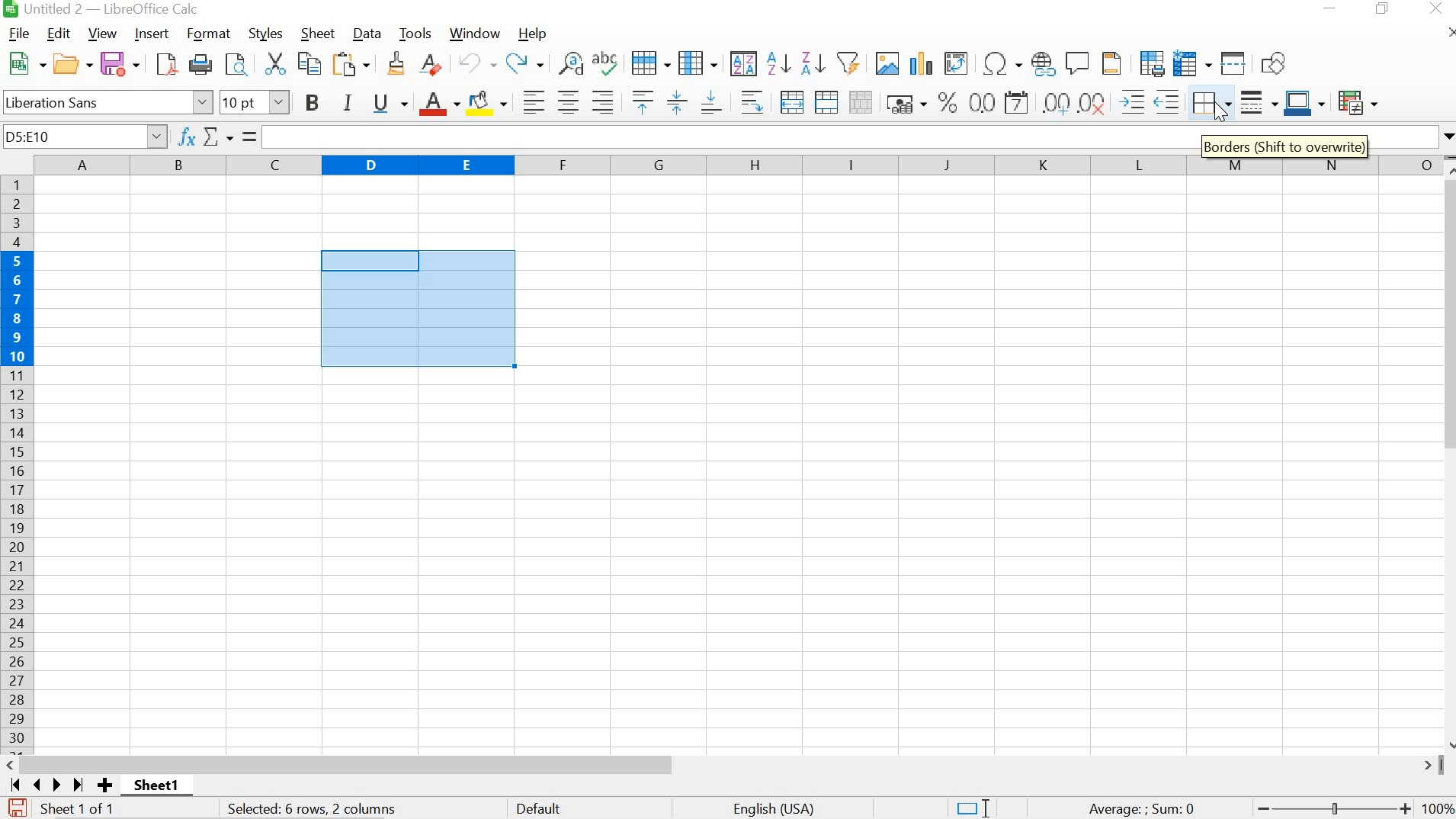 The image size is (1456, 819). I want to click on unmerge cells, so click(861, 102).